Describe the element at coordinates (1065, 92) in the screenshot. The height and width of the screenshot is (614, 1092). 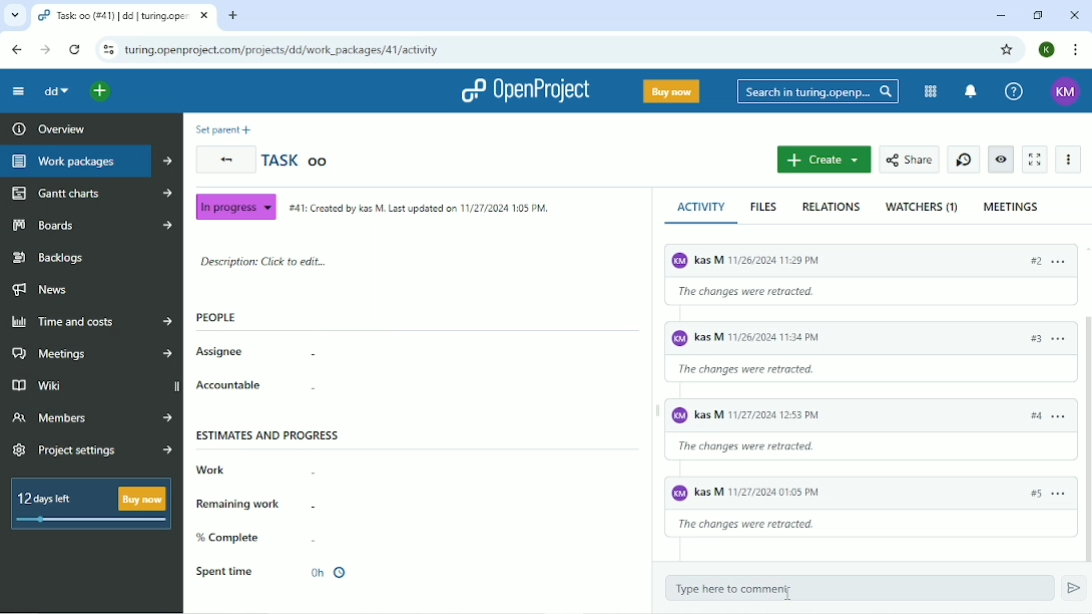
I see `KM` at that location.